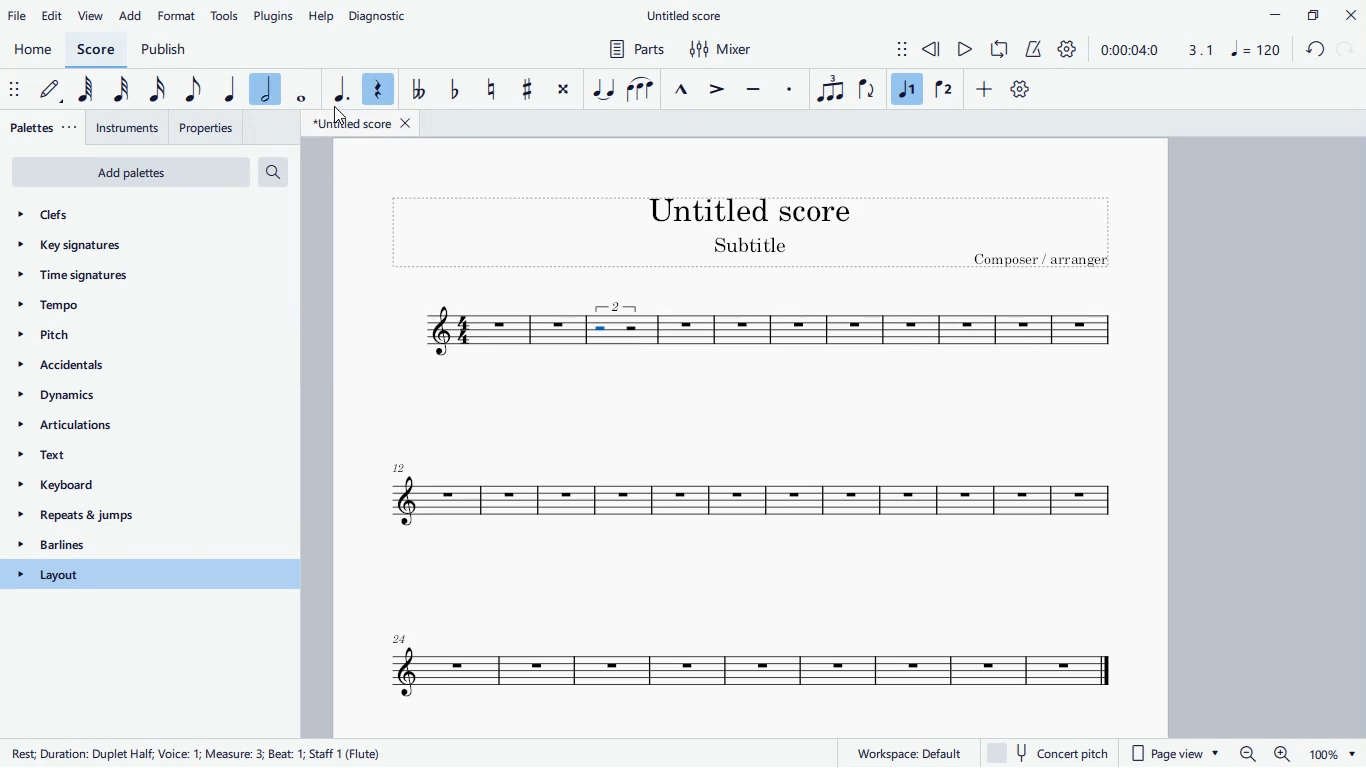 This screenshot has width=1366, height=768. I want to click on search, so click(281, 173).